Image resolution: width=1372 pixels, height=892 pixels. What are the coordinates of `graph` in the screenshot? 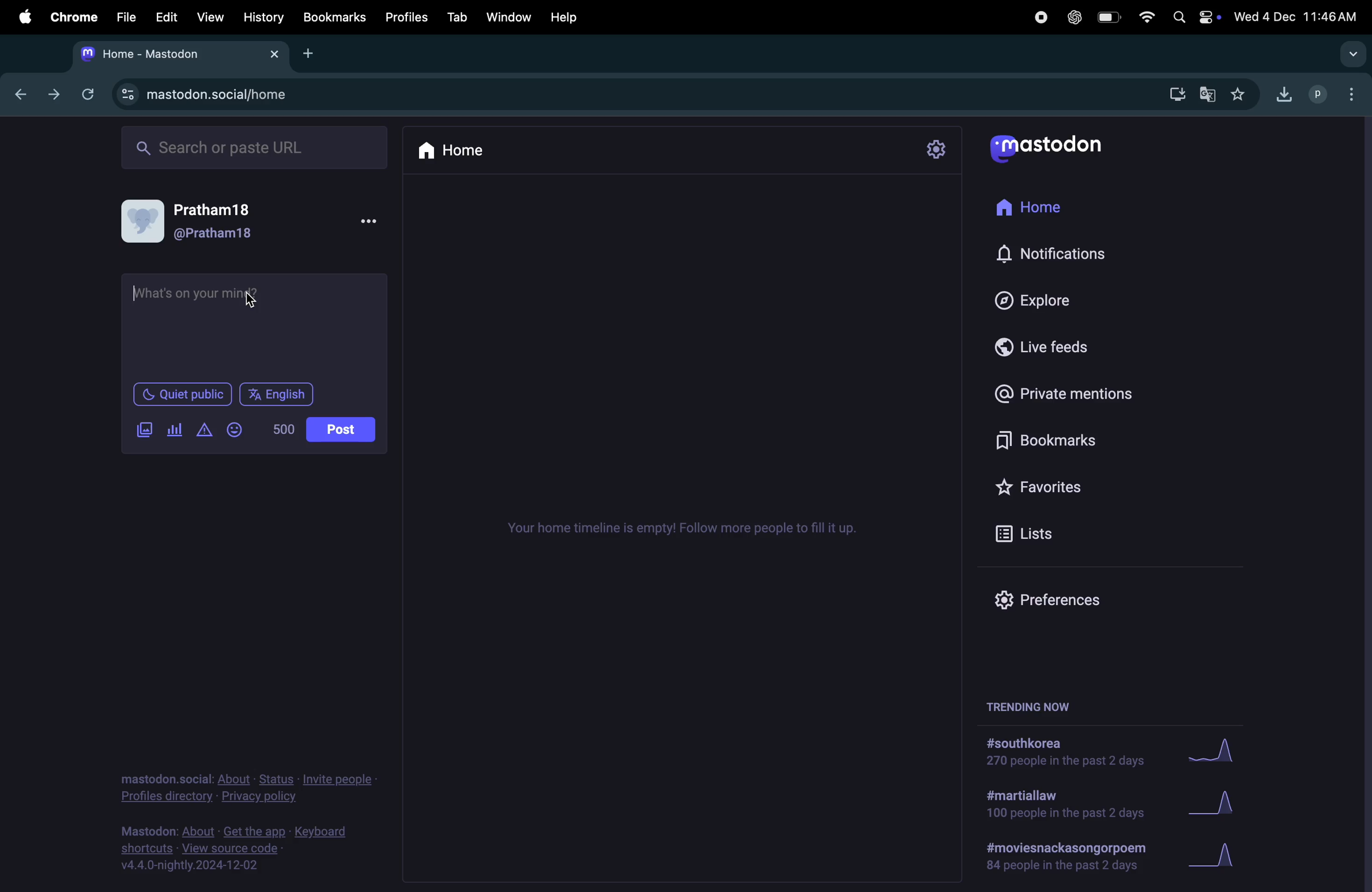 It's located at (1220, 857).